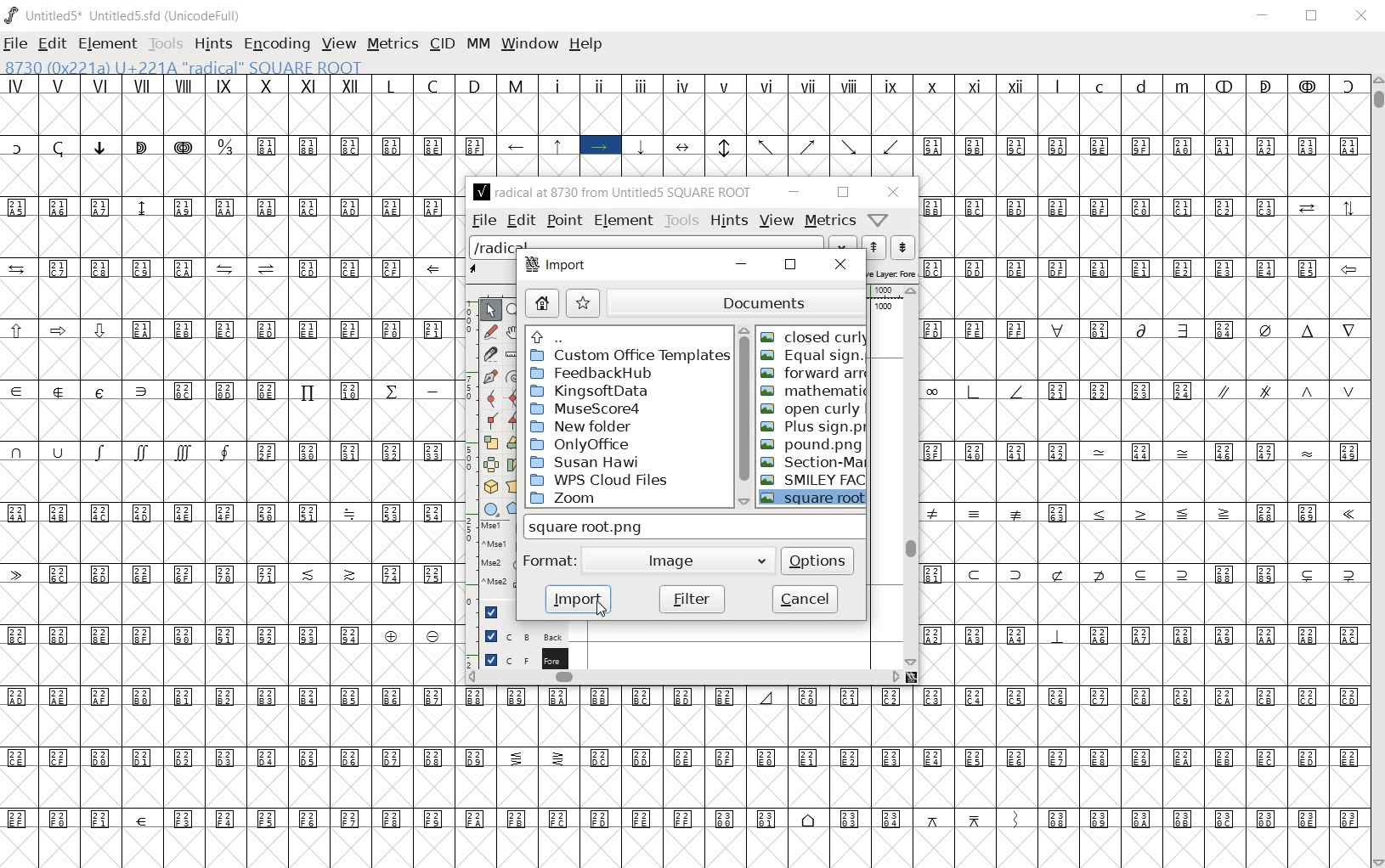 Image resolution: width=1385 pixels, height=868 pixels. Describe the element at coordinates (1143, 440) in the screenshot. I see `Glyph characters` at that location.